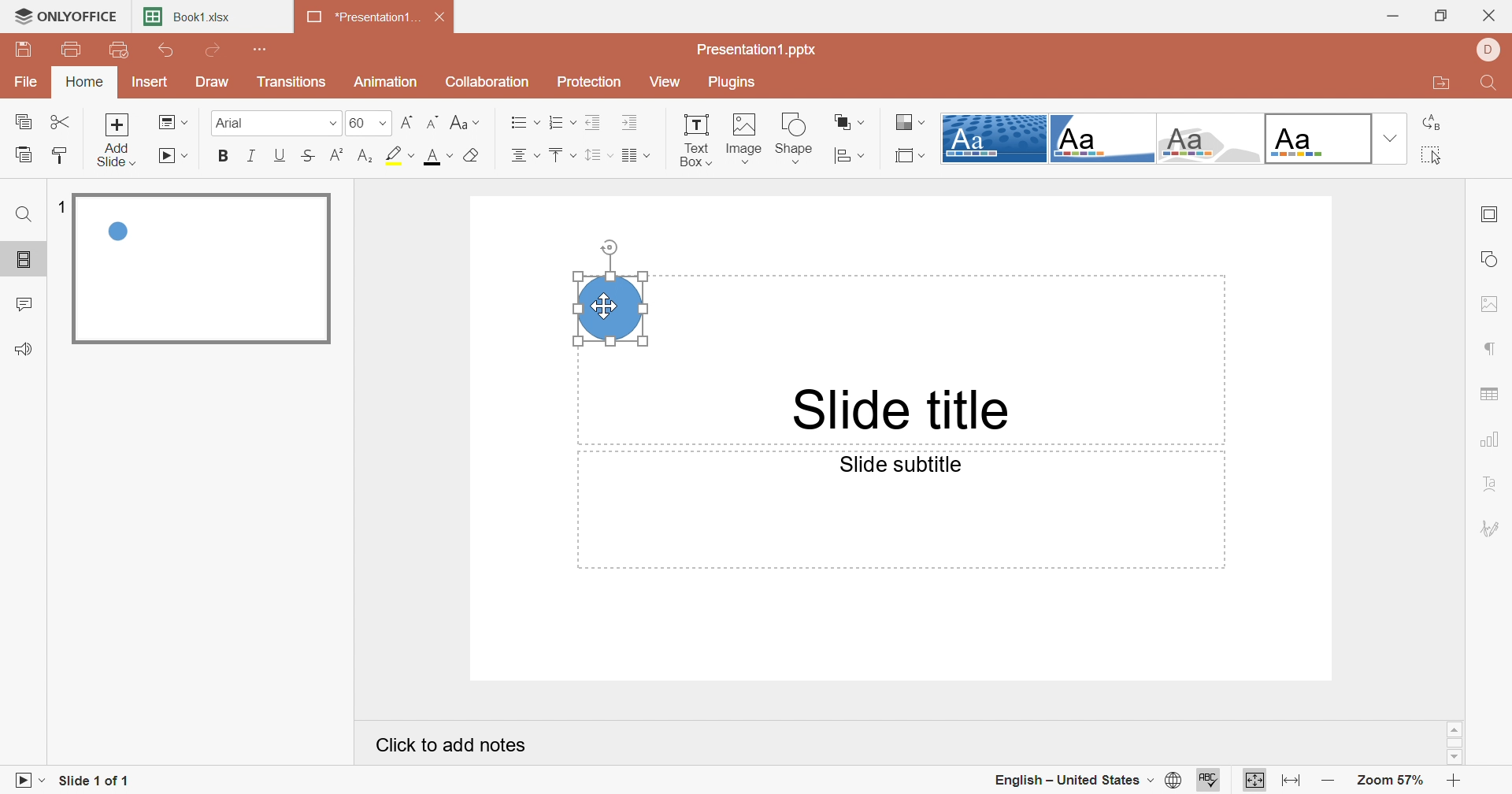 The height and width of the screenshot is (794, 1512). What do you see at coordinates (1176, 781) in the screenshot?
I see `Set document language` at bounding box center [1176, 781].